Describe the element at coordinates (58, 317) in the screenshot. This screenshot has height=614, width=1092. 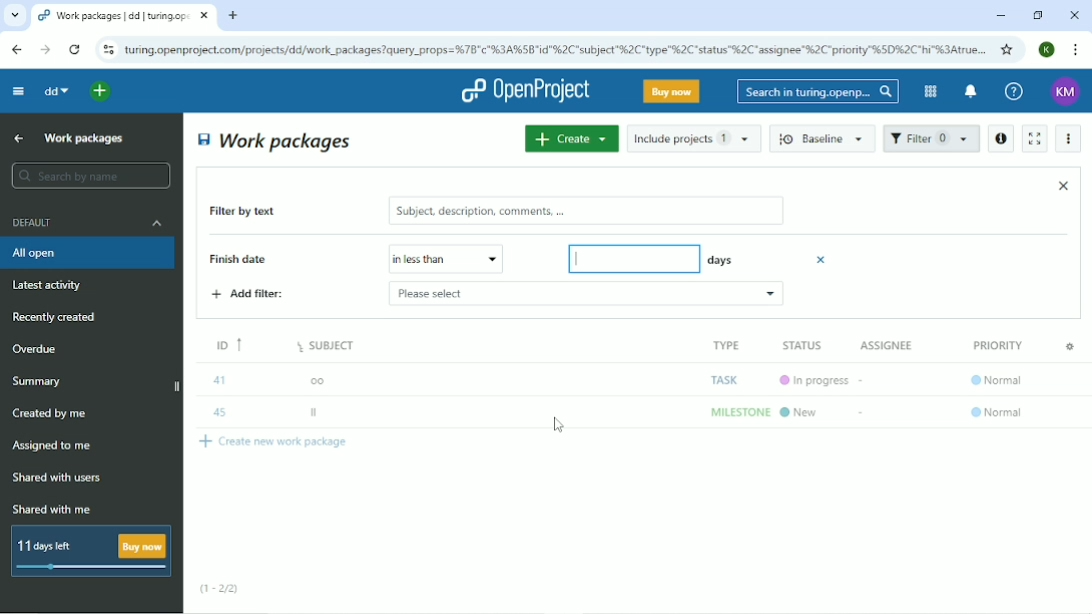
I see `Recently created` at that location.